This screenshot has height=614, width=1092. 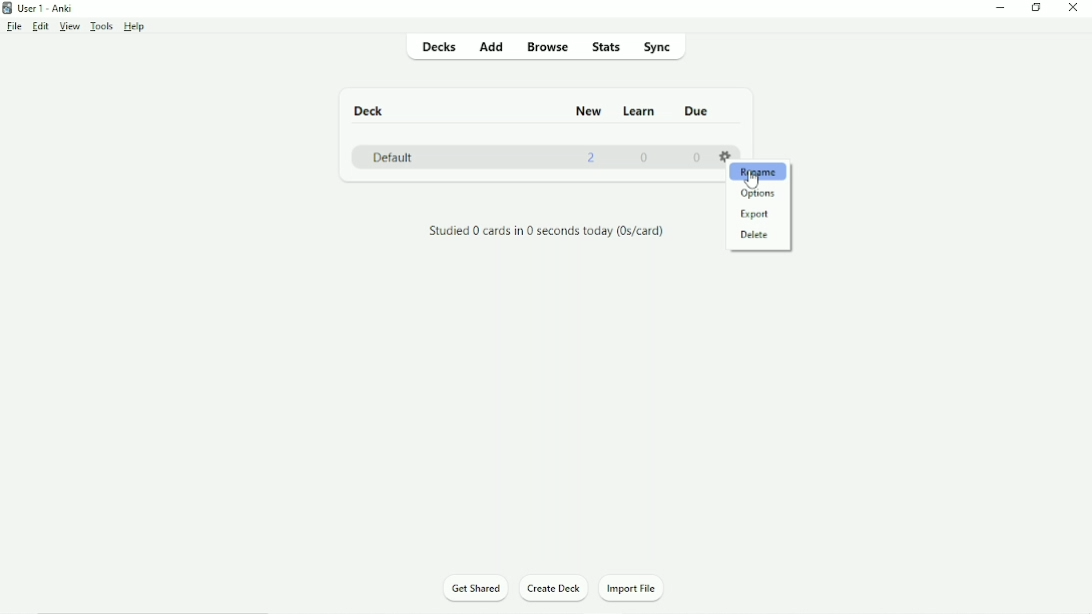 I want to click on Rename, so click(x=762, y=173).